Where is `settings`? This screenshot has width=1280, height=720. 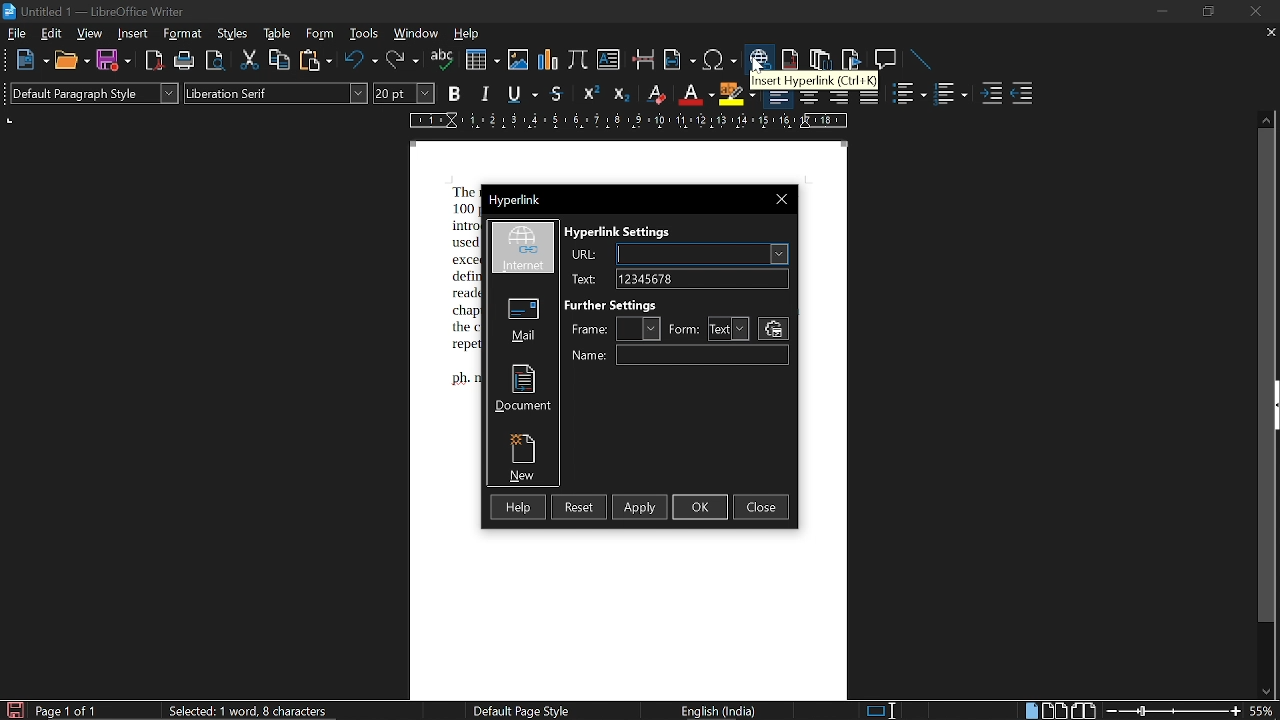 settings is located at coordinates (773, 329).